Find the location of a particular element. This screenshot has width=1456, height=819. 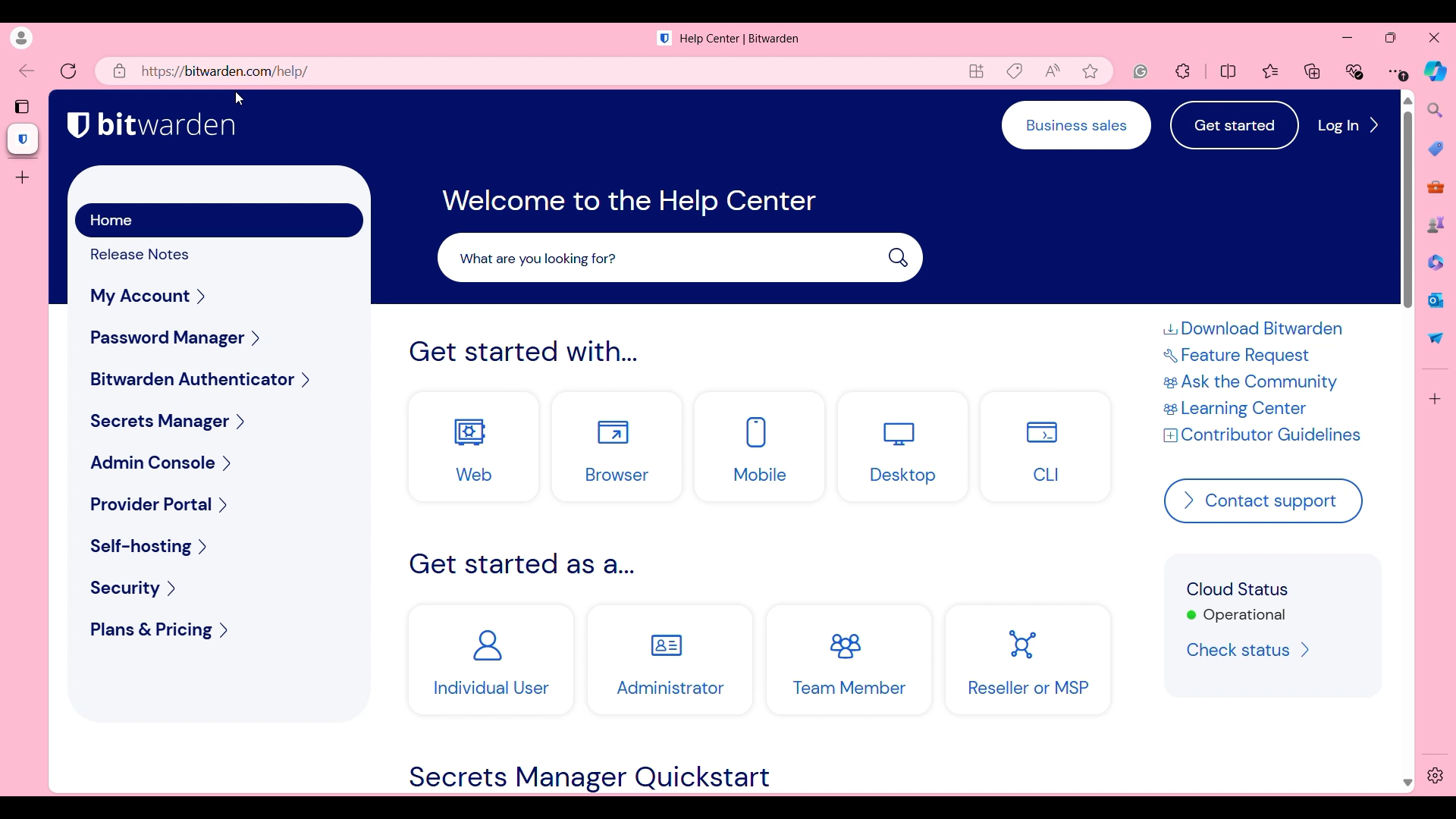

Help Center | Bitwarden is located at coordinates (740, 39).